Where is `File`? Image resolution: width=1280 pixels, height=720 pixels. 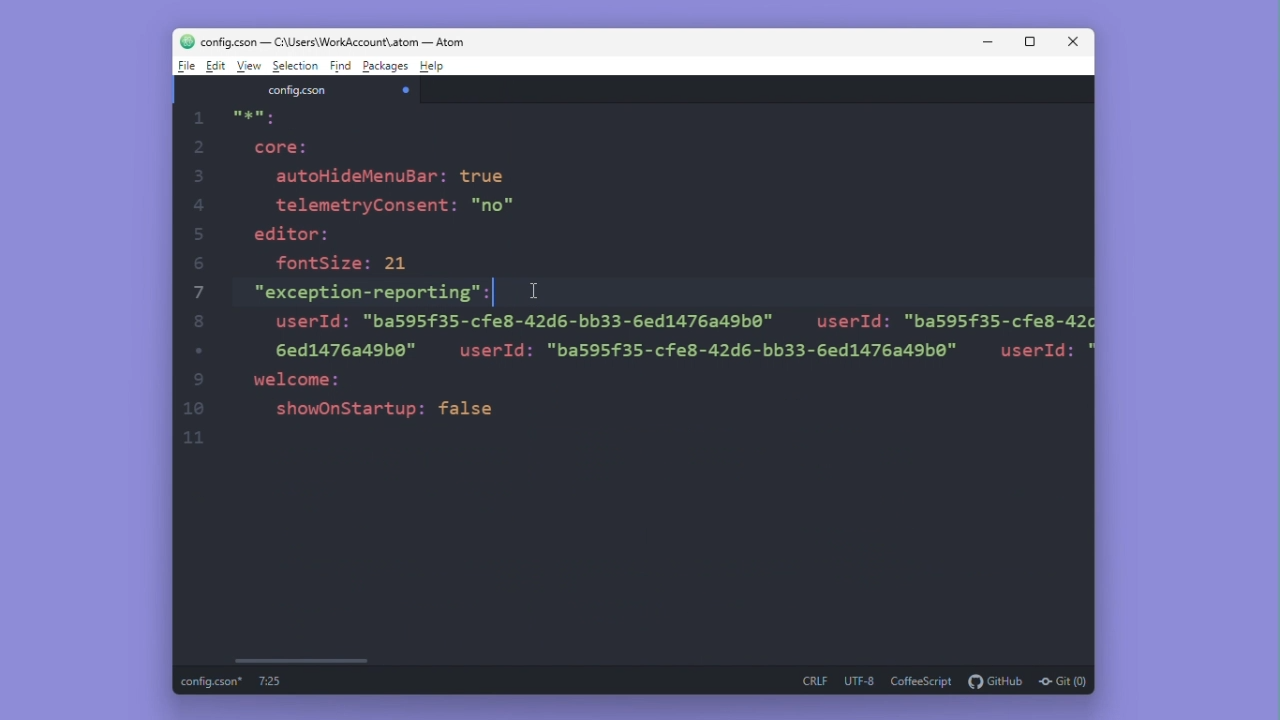
File is located at coordinates (184, 65).